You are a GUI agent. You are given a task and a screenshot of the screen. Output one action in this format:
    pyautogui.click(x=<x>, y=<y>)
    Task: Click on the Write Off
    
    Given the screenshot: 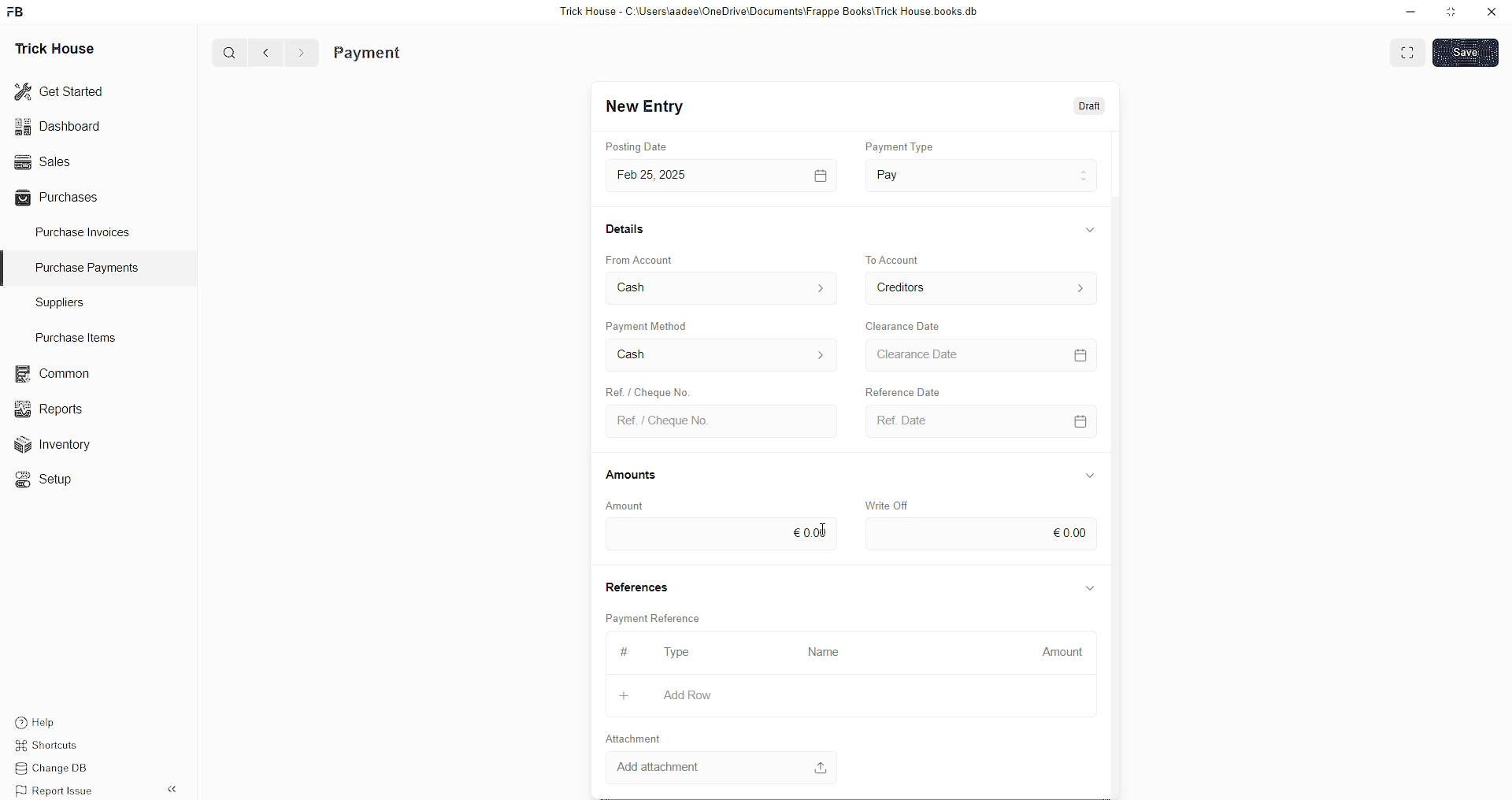 What is the action you would take?
    pyautogui.click(x=884, y=503)
    